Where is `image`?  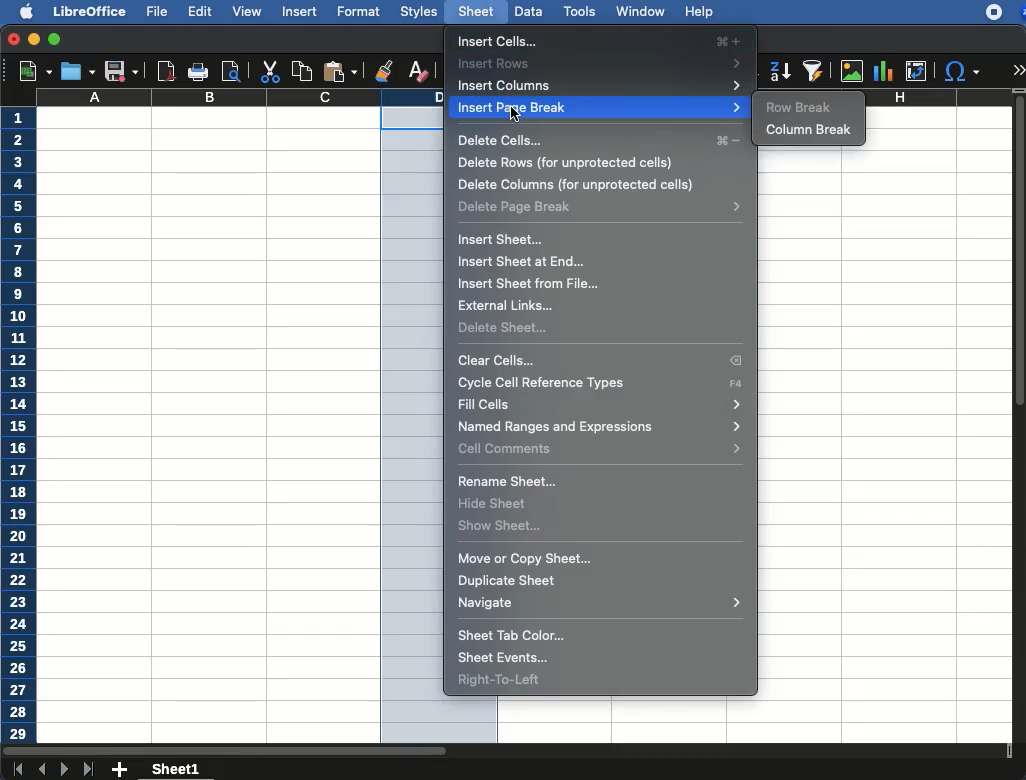 image is located at coordinates (852, 71).